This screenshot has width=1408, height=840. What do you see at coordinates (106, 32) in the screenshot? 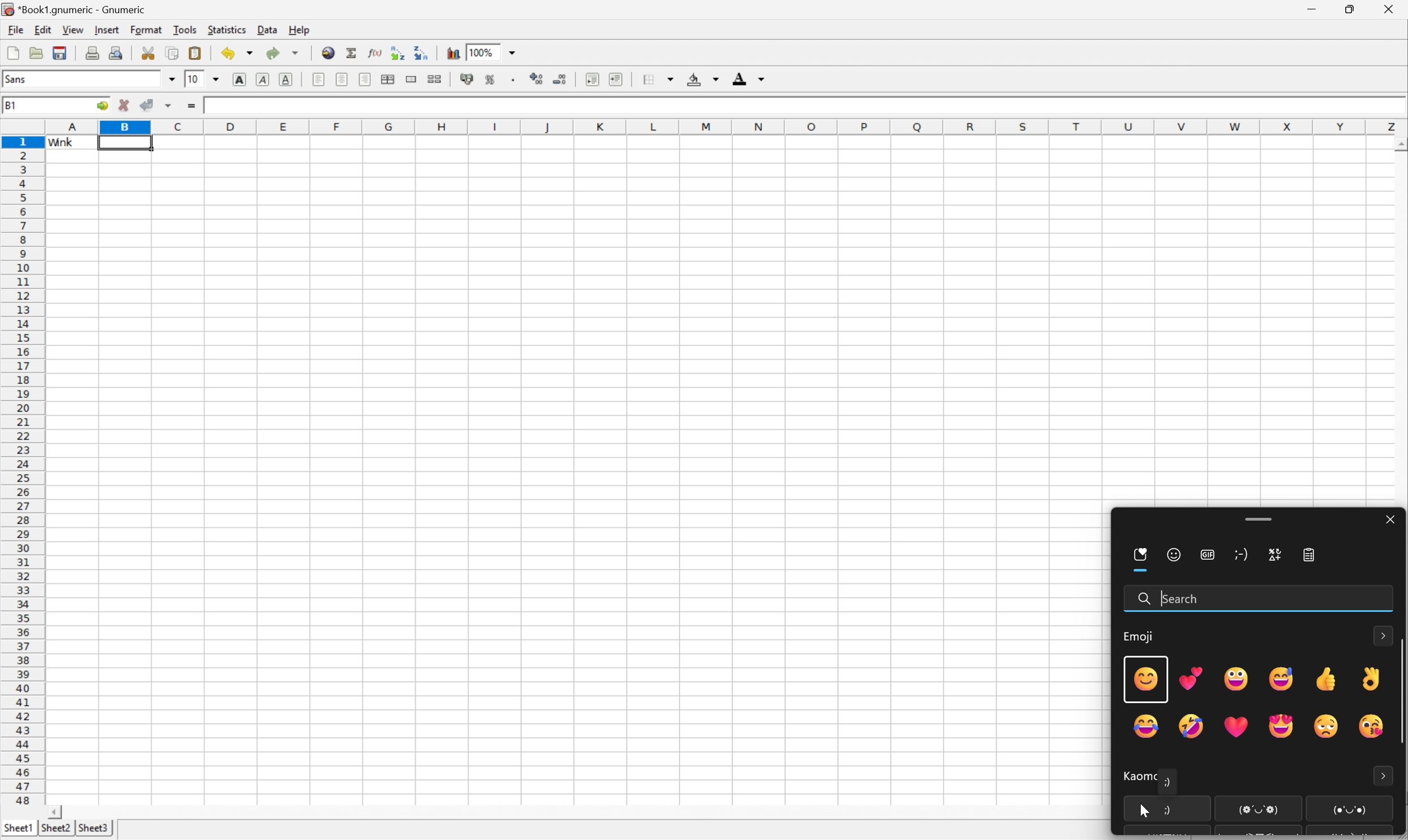
I see `insert` at bounding box center [106, 32].